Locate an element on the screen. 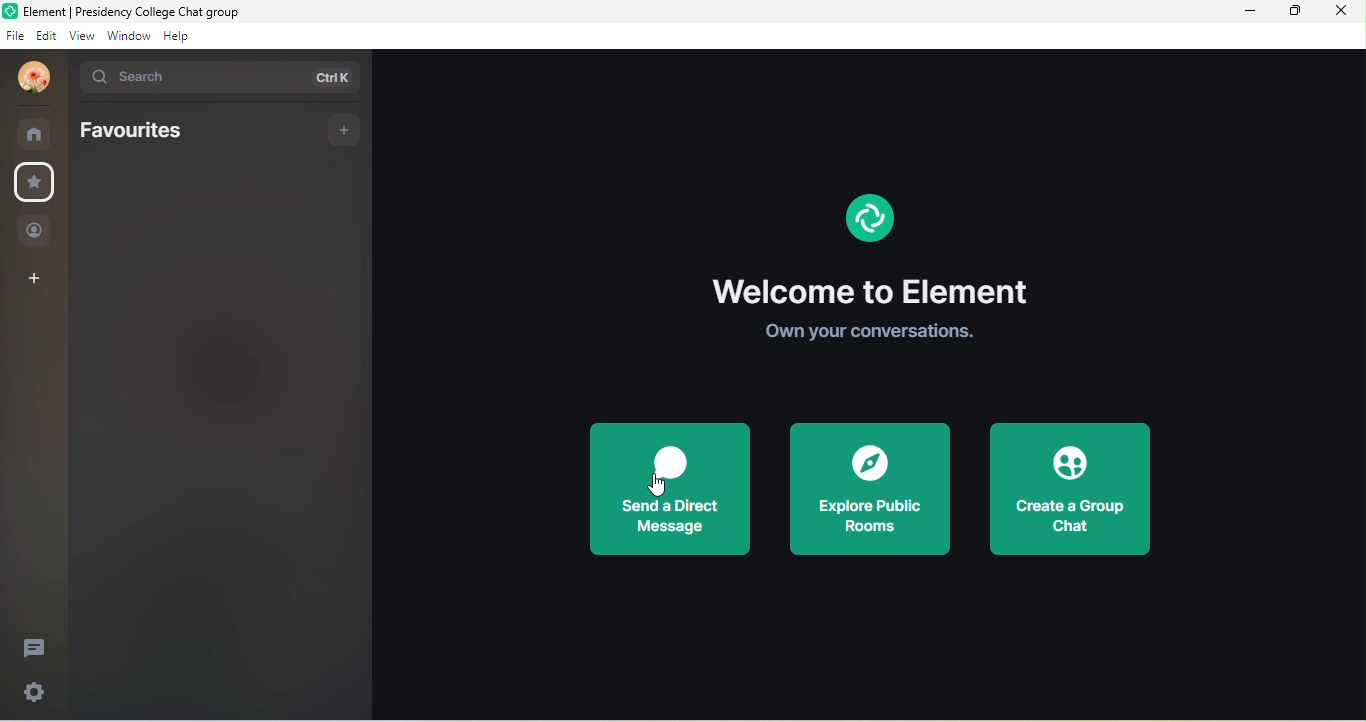 Image resolution: width=1366 pixels, height=722 pixels. minimize is located at coordinates (1245, 13).